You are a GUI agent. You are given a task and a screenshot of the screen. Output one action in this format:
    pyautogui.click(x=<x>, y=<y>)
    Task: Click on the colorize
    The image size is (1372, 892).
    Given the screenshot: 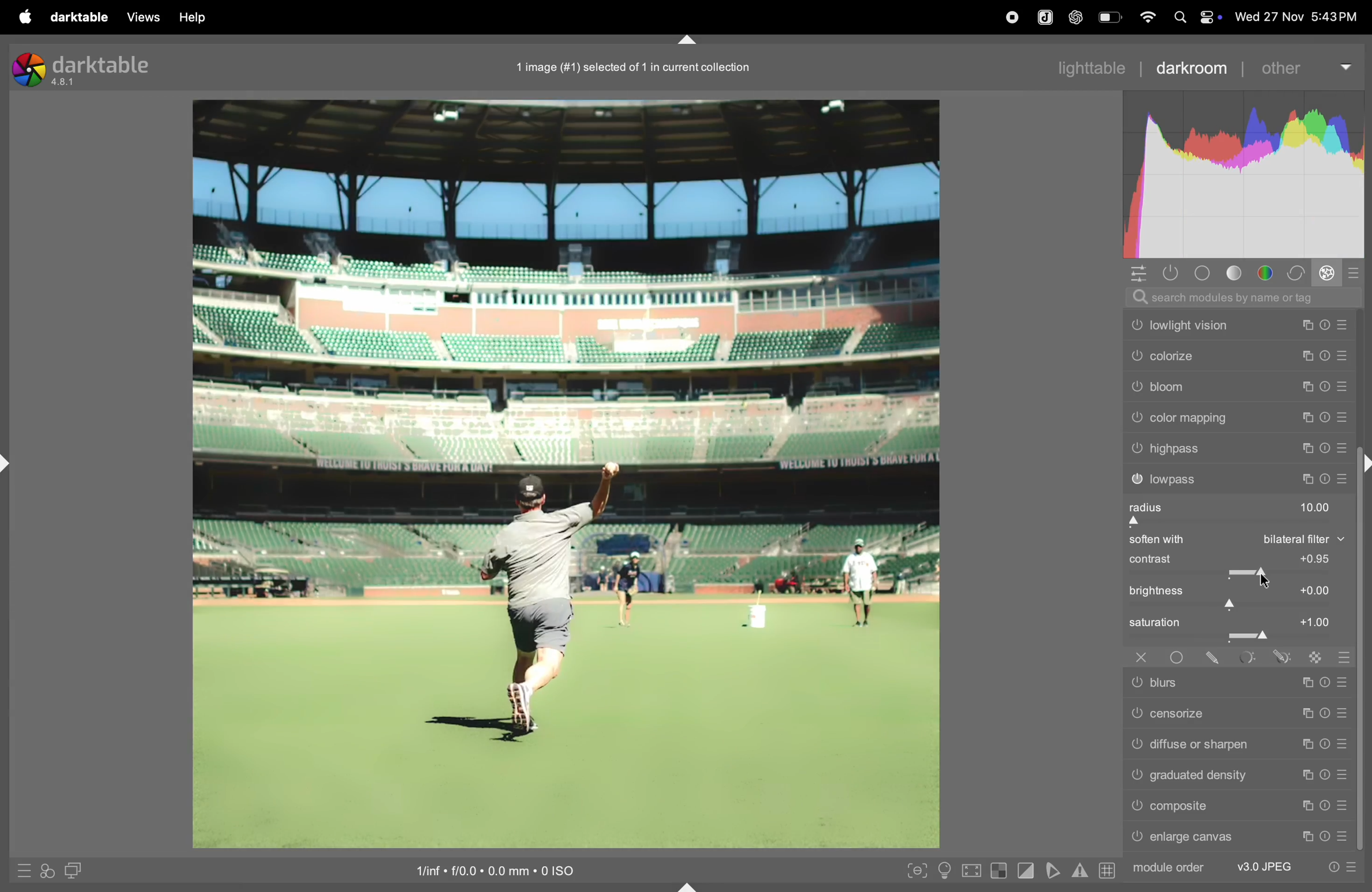 What is the action you would take?
    pyautogui.click(x=1237, y=358)
    